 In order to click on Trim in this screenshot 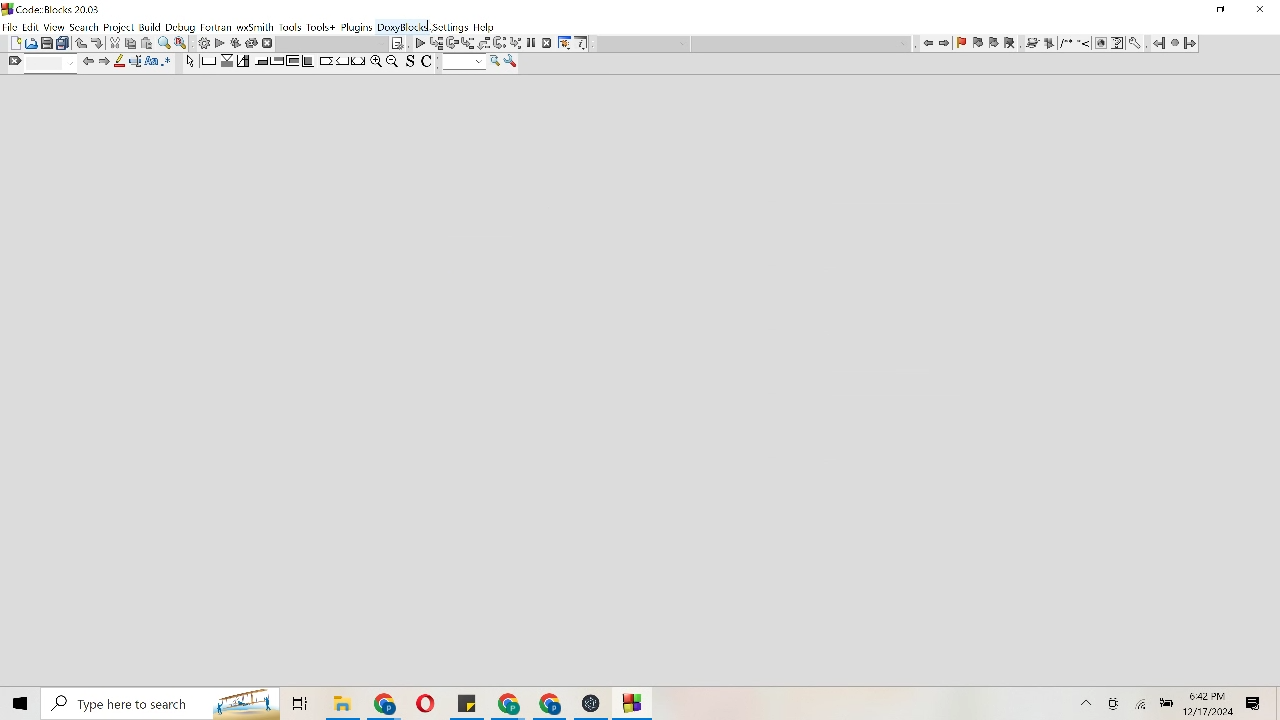, I will do `click(114, 42)`.